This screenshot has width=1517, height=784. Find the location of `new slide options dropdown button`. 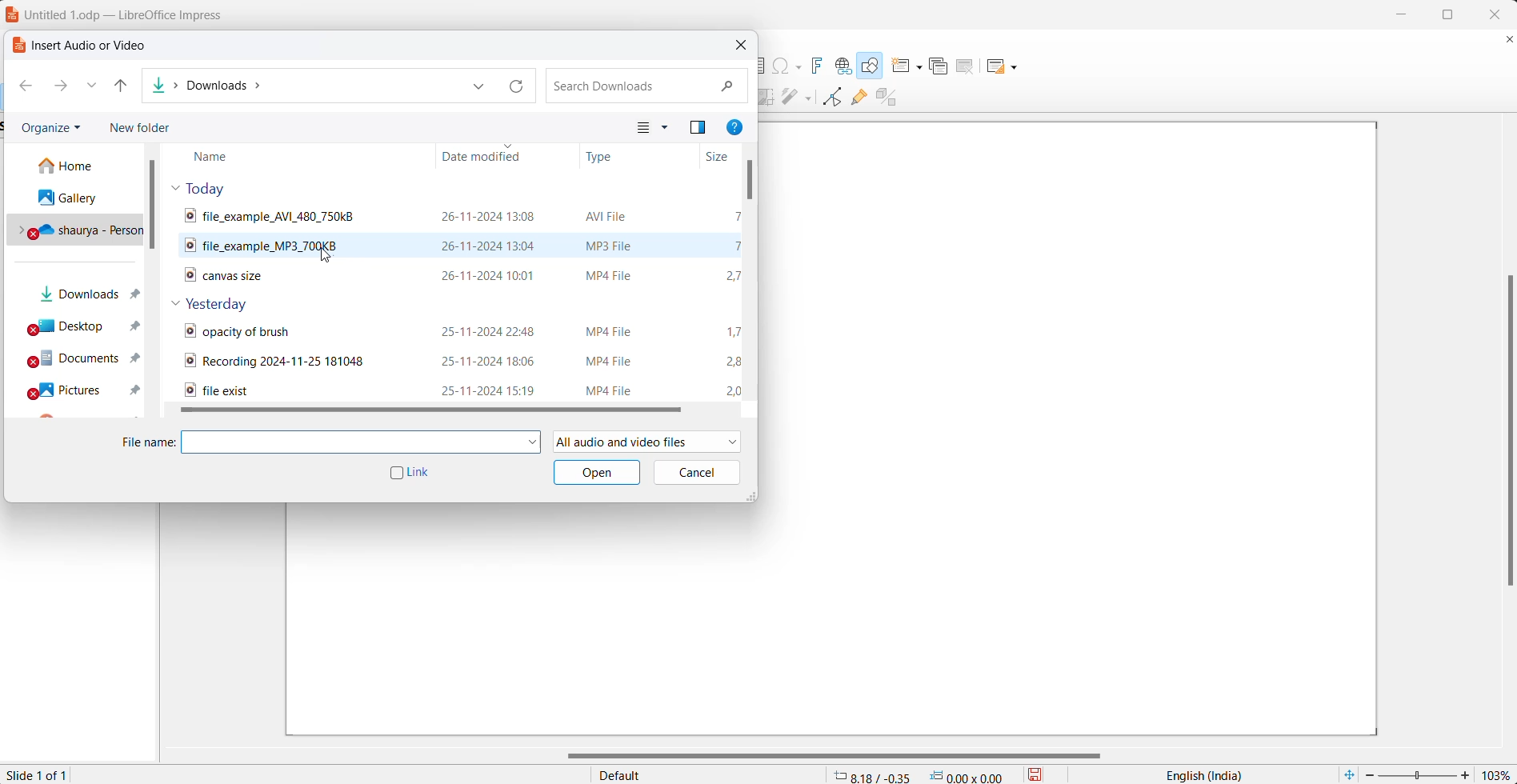

new slide options dropdown button is located at coordinates (922, 64).